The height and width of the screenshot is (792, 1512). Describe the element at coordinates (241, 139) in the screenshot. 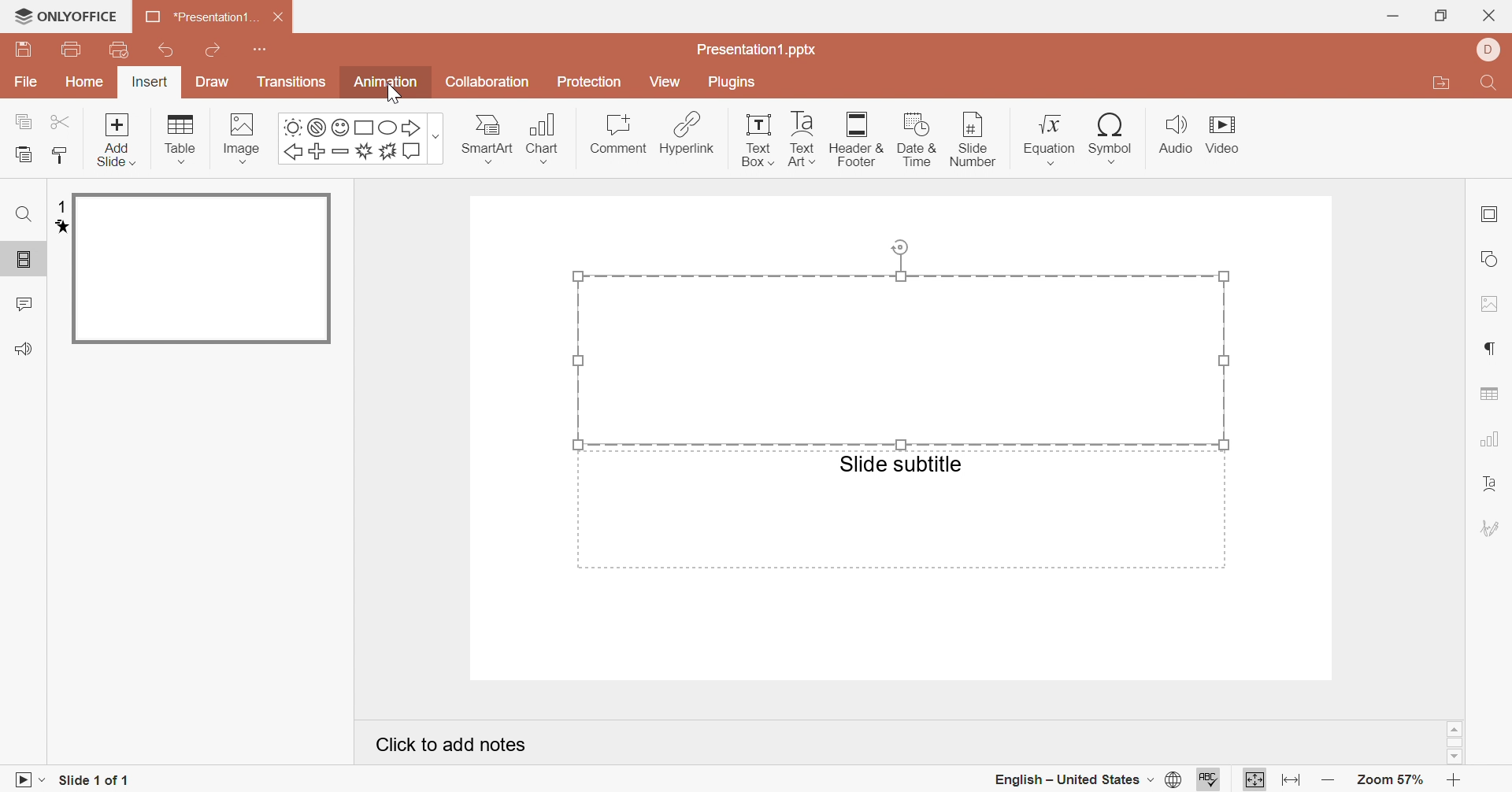

I see `image` at that location.